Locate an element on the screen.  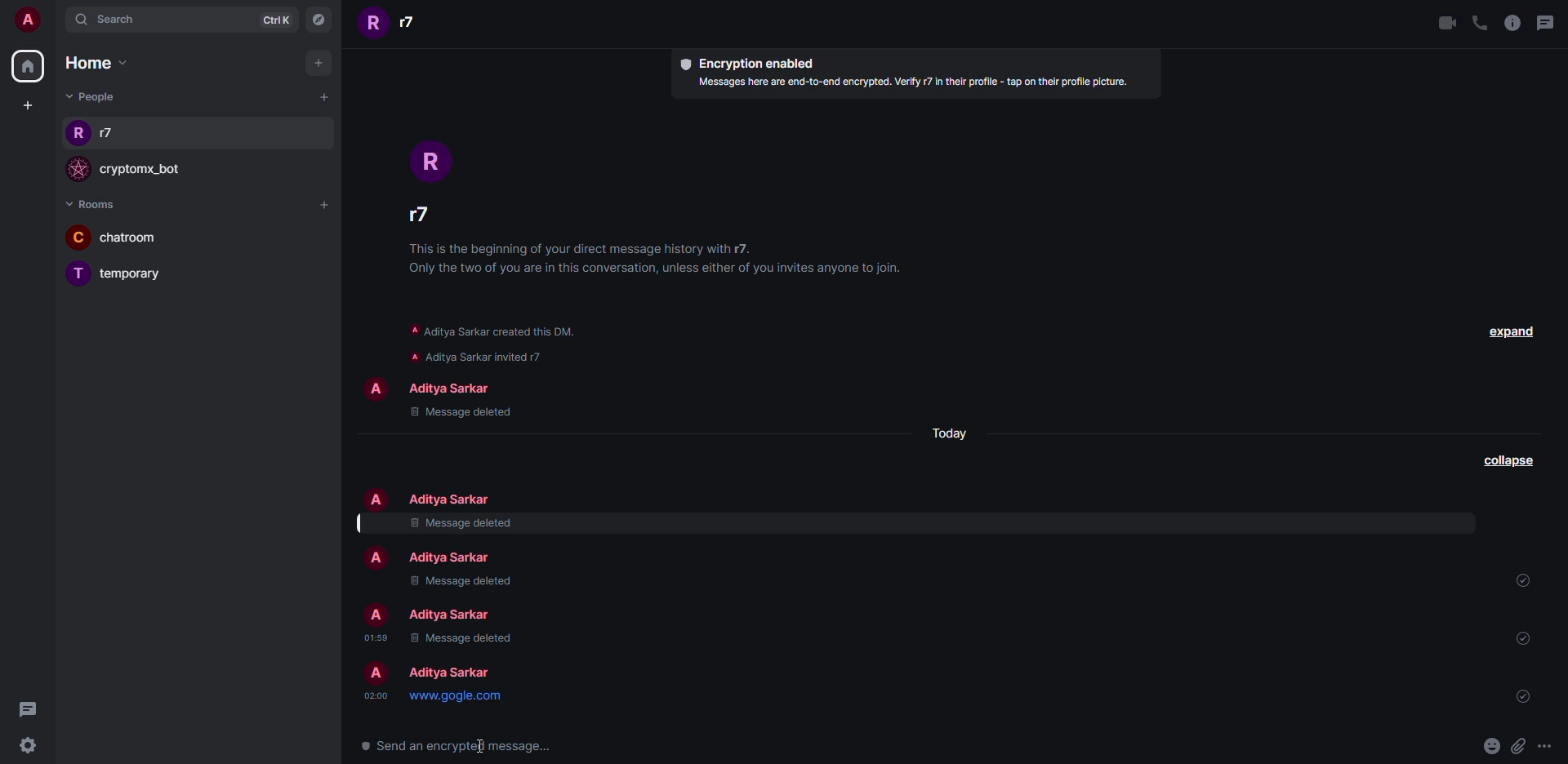
home is located at coordinates (27, 69).